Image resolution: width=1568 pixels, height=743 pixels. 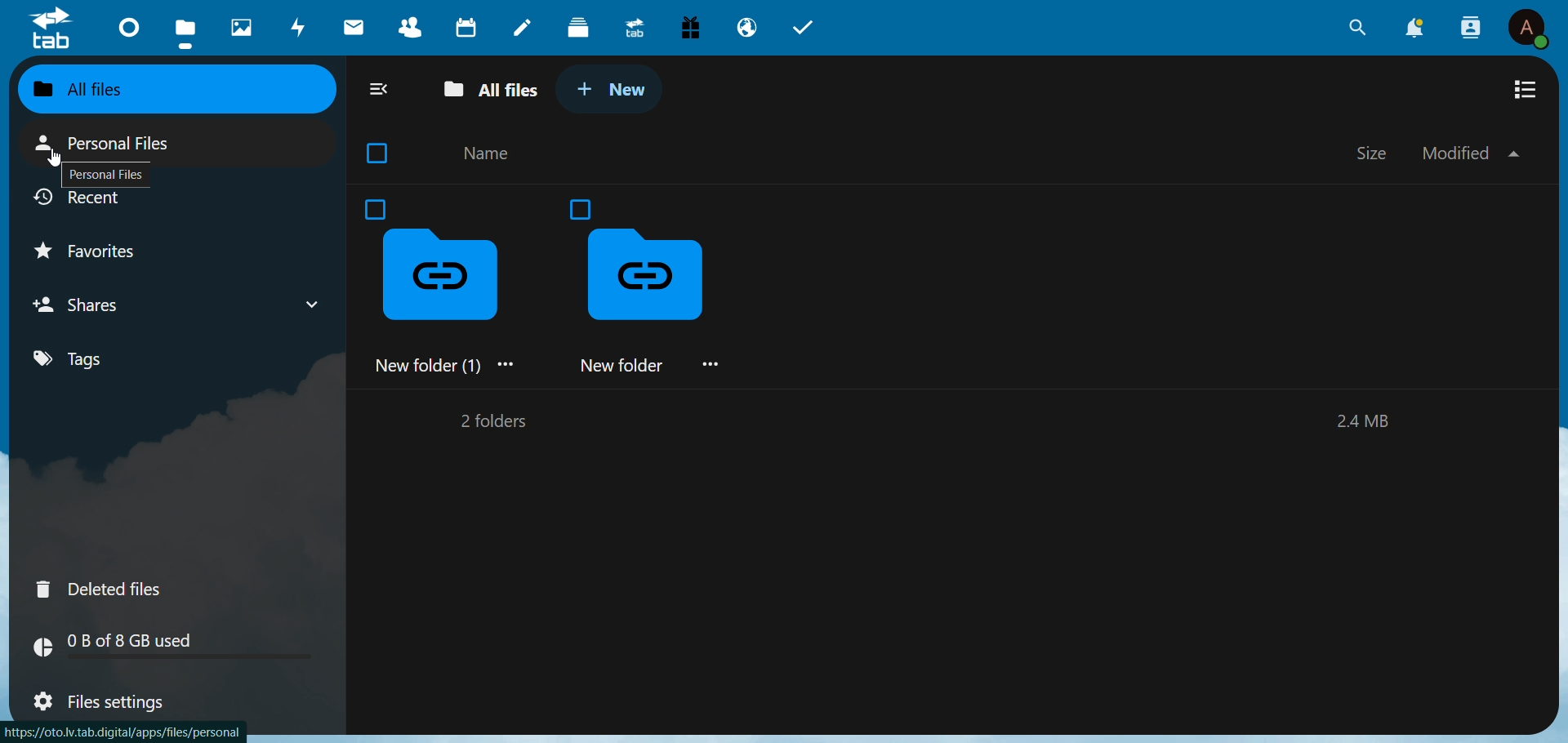 I want to click on memory, so click(x=184, y=645).